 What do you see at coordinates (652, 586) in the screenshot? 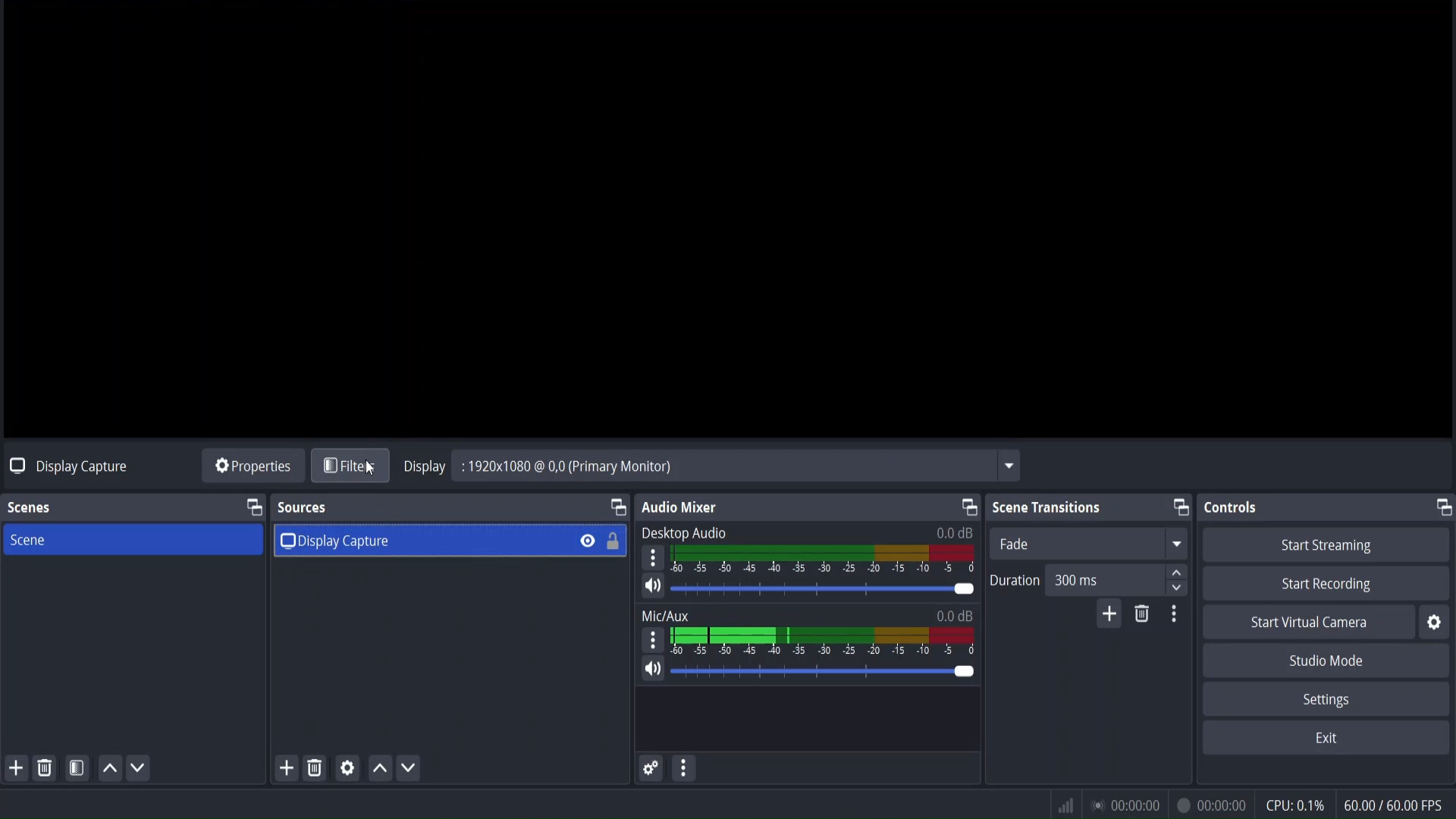
I see `mute` at bounding box center [652, 586].